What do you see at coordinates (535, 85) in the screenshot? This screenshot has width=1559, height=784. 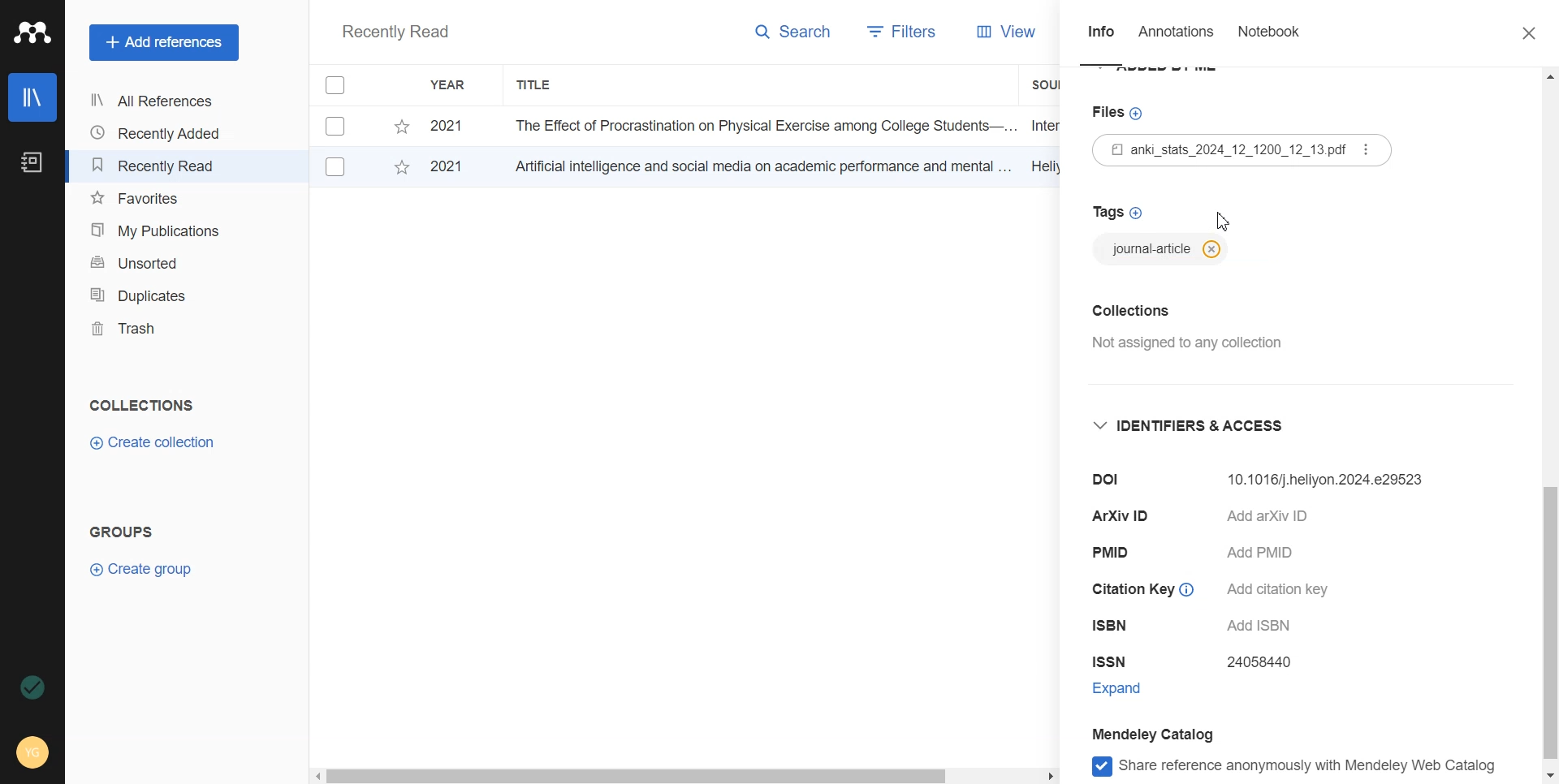 I see `Title` at bounding box center [535, 85].